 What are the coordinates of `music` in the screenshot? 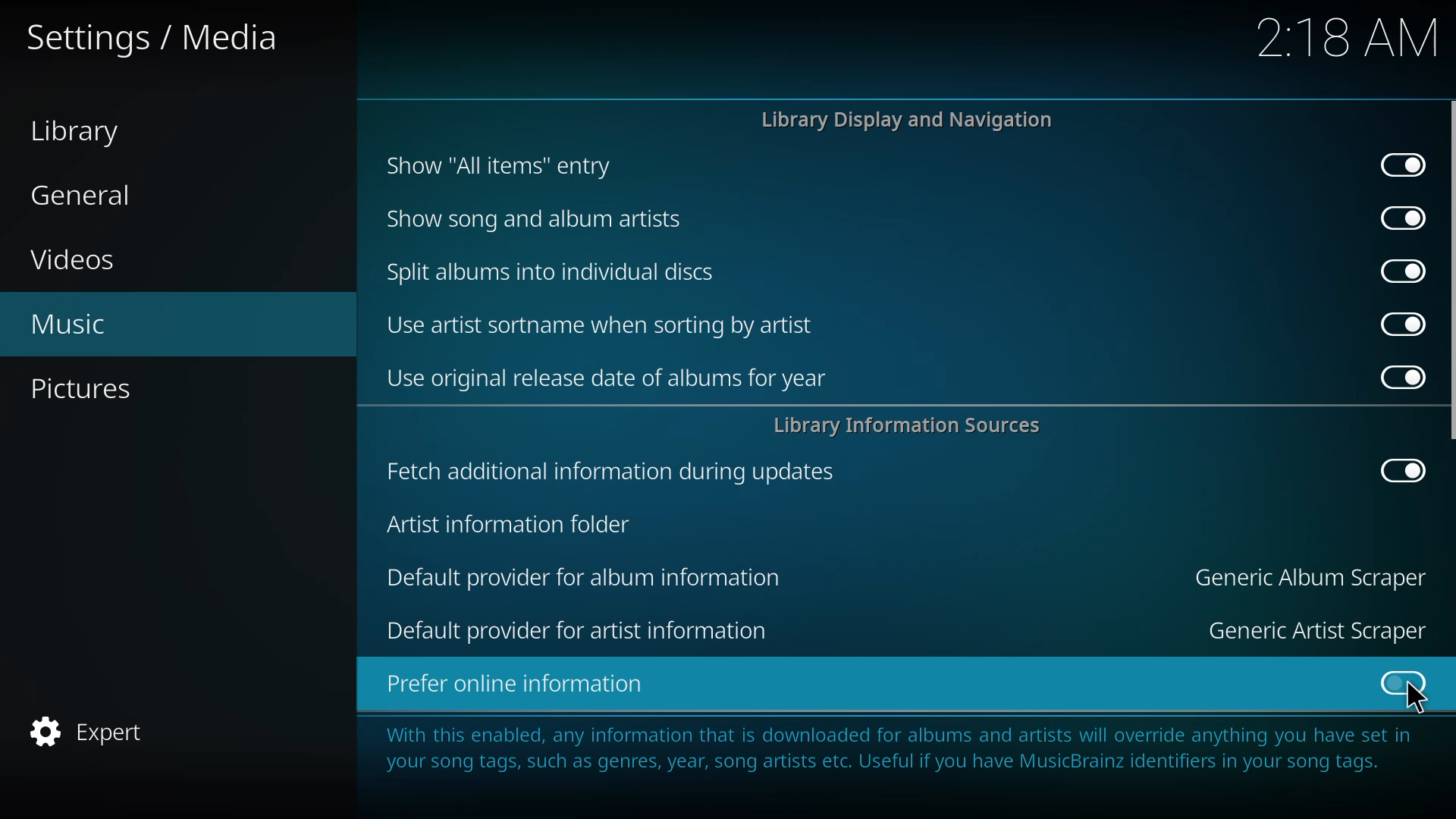 It's located at (74, 324).